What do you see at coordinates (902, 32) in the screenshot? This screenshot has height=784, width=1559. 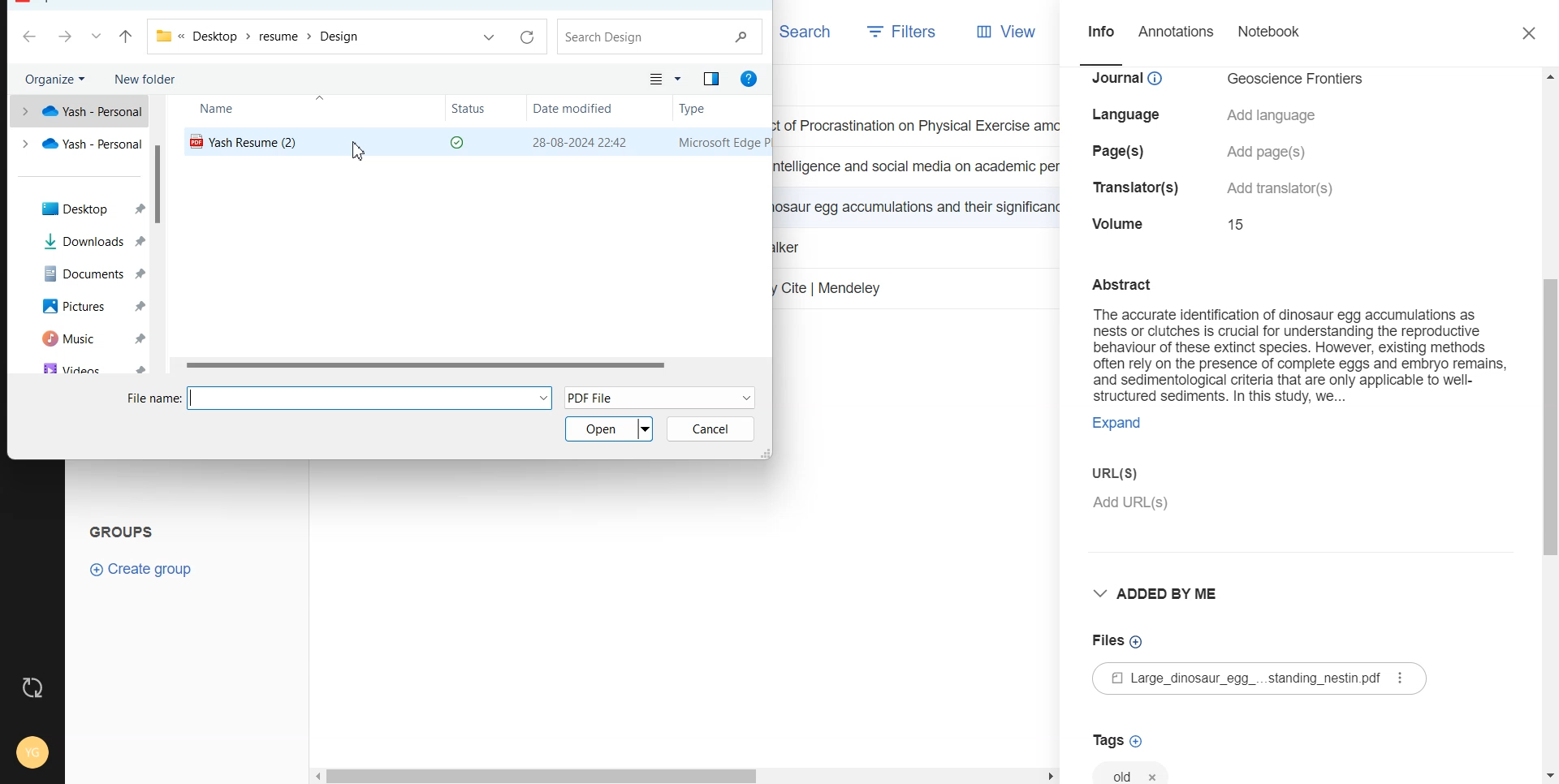 I see `Filters` at bounding box center [902, 32].